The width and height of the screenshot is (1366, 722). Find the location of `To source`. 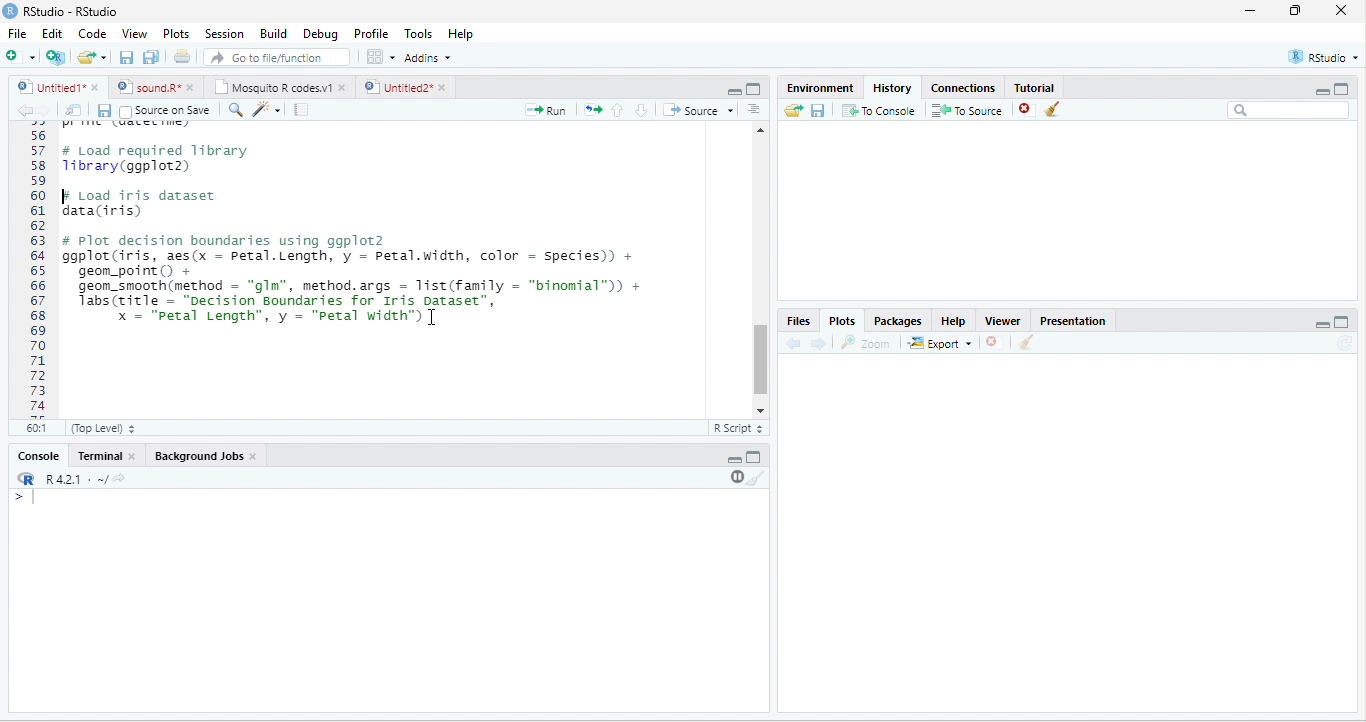

To source is located at coordinates (965, 111).